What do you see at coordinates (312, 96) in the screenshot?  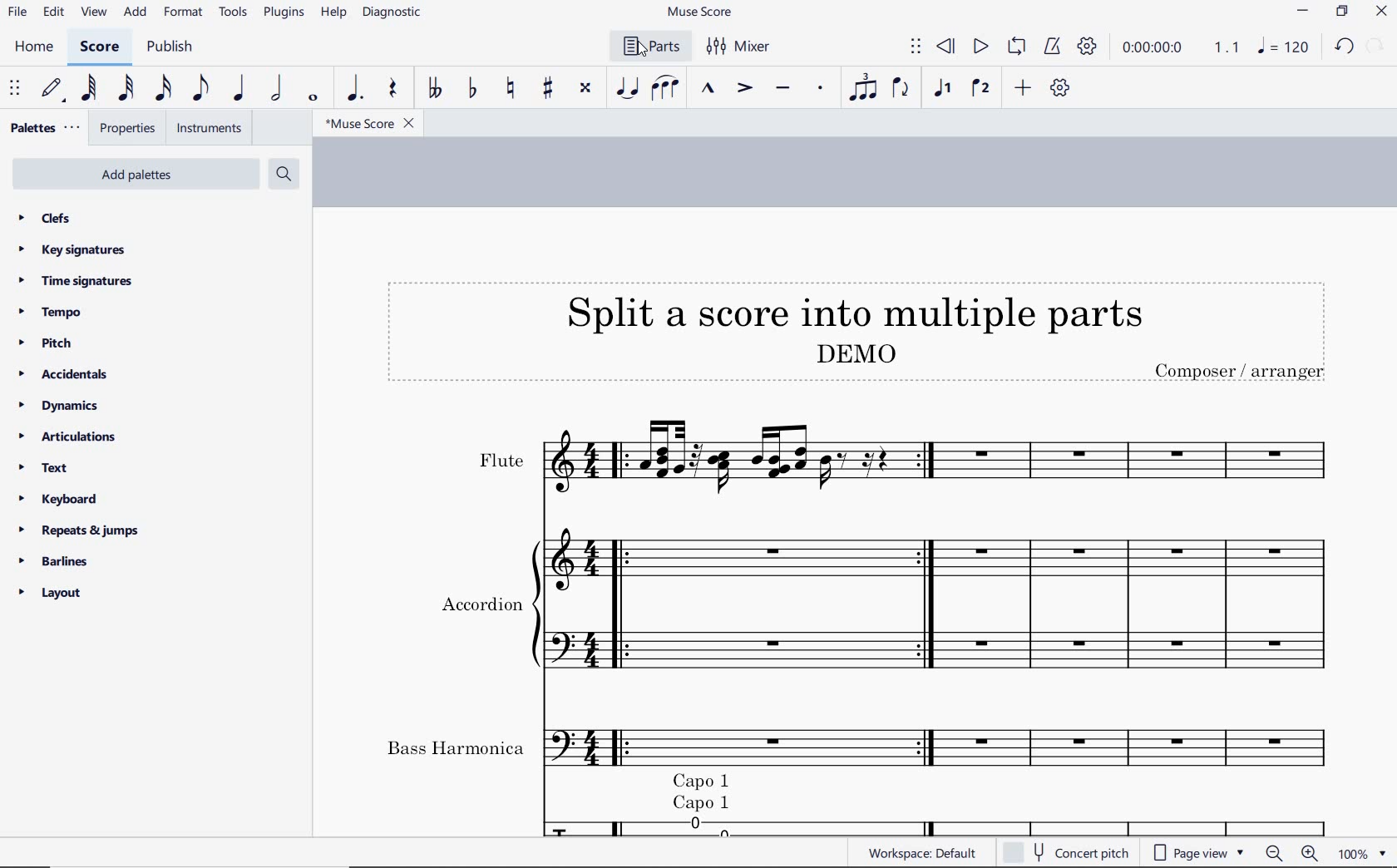 I see `whole note` at bounding box center [312, 96].